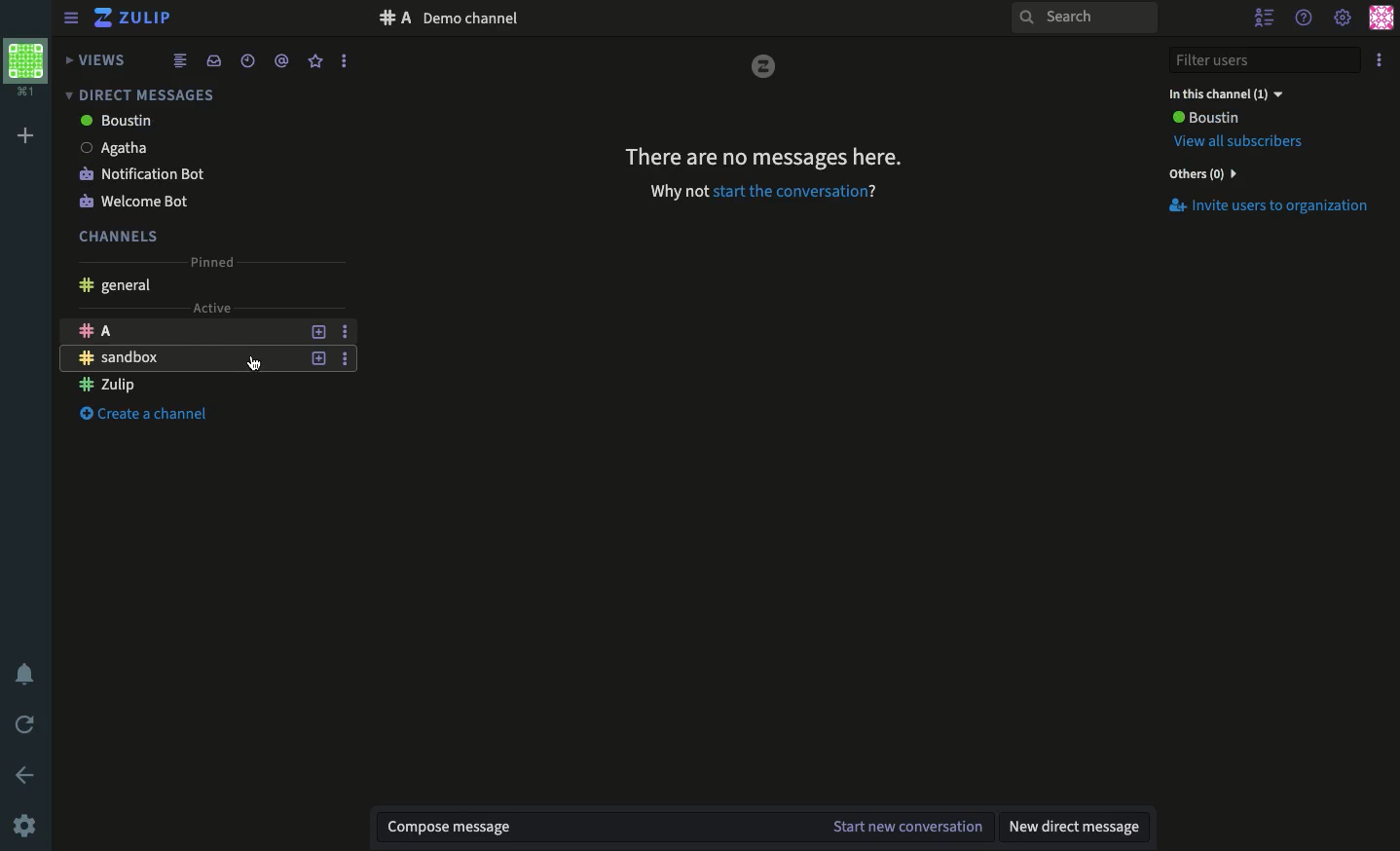  Describe the element at coordinates (318, 332) in the screenshot. I see `Add a topic` at that location.